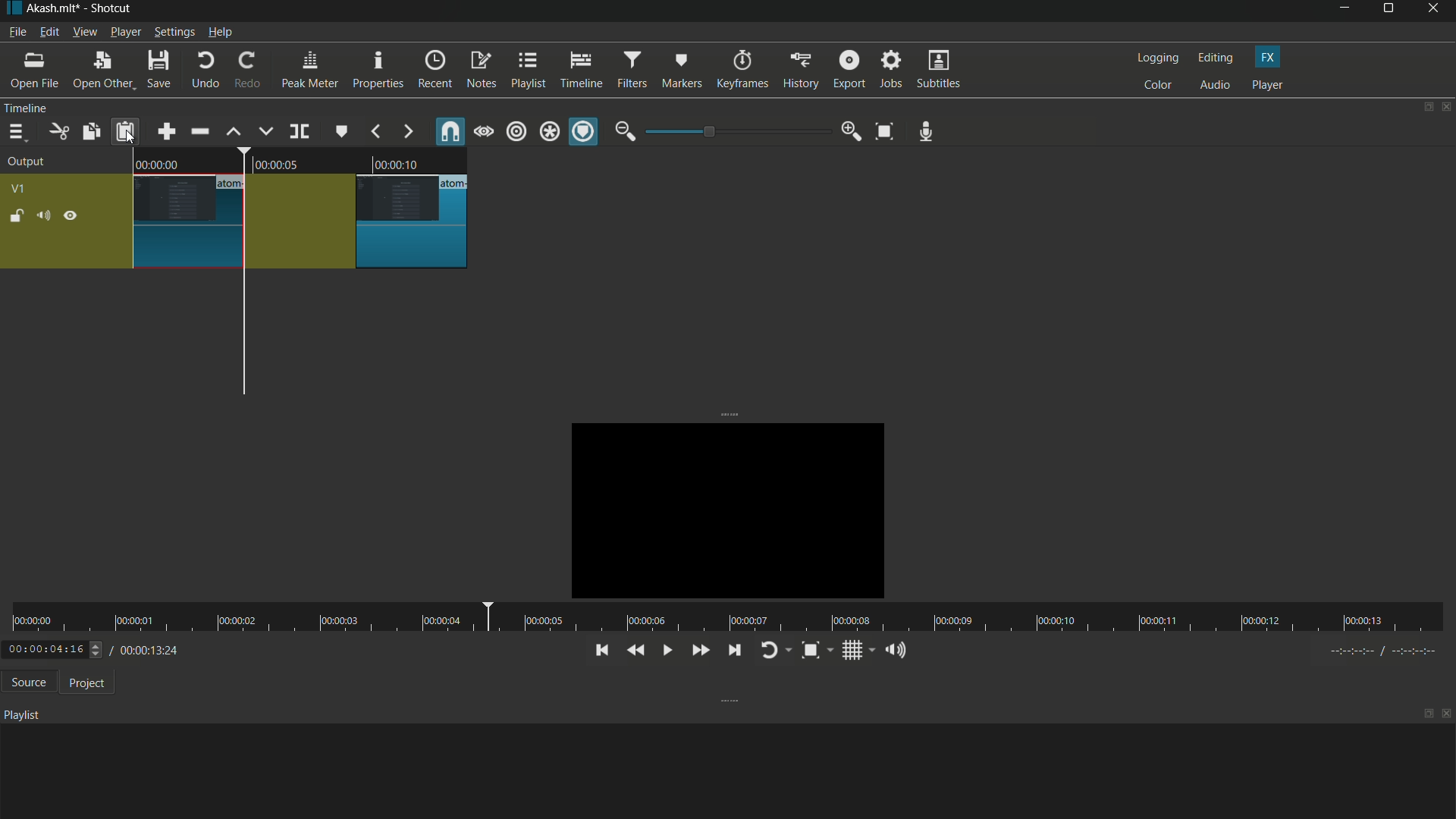  What do you see at coordinates (452, 131) in the screenshot?
I see `snap` at bounding box center [452, 131].